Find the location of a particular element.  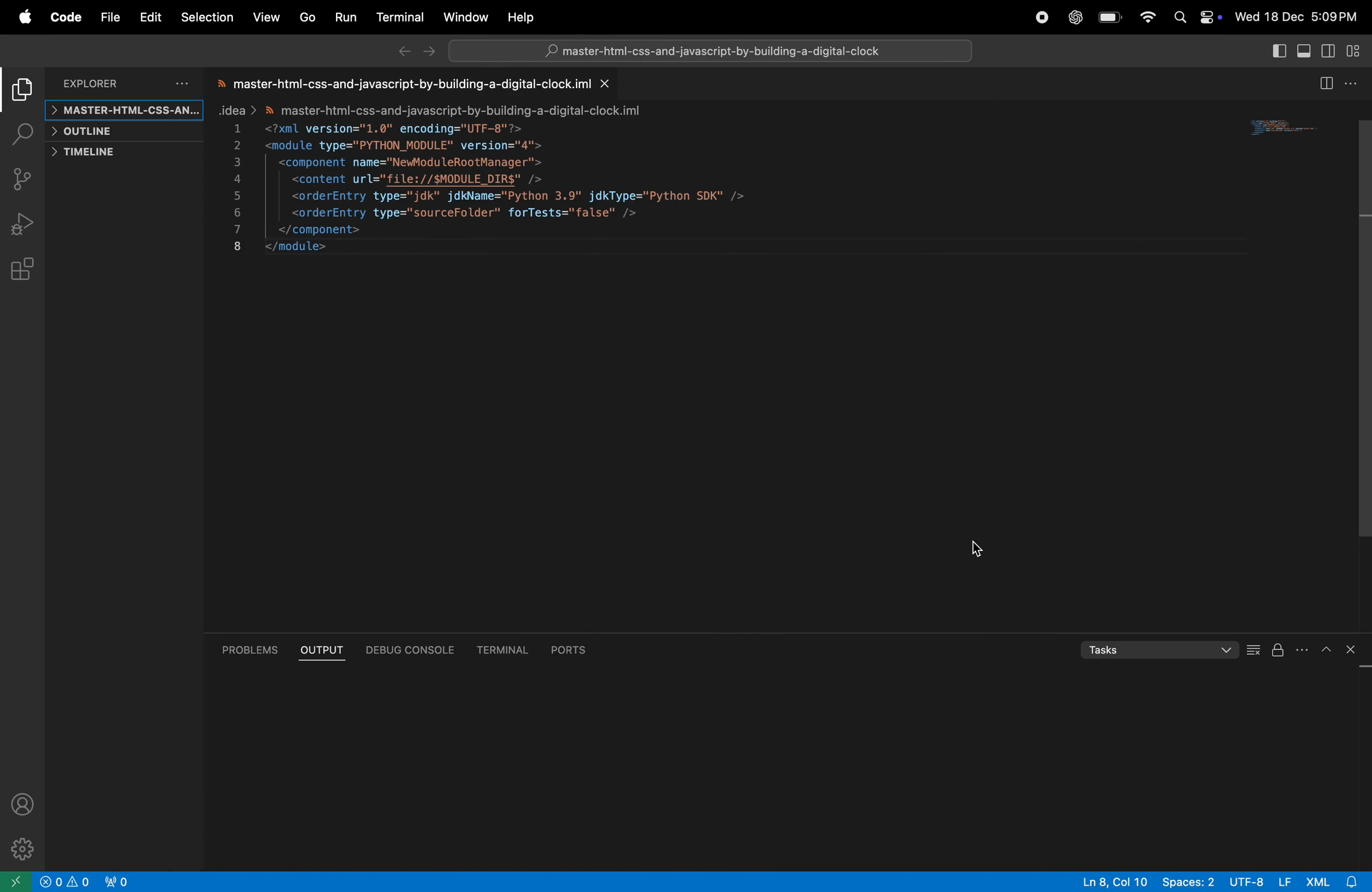

output is located at coordinates (322, 650).